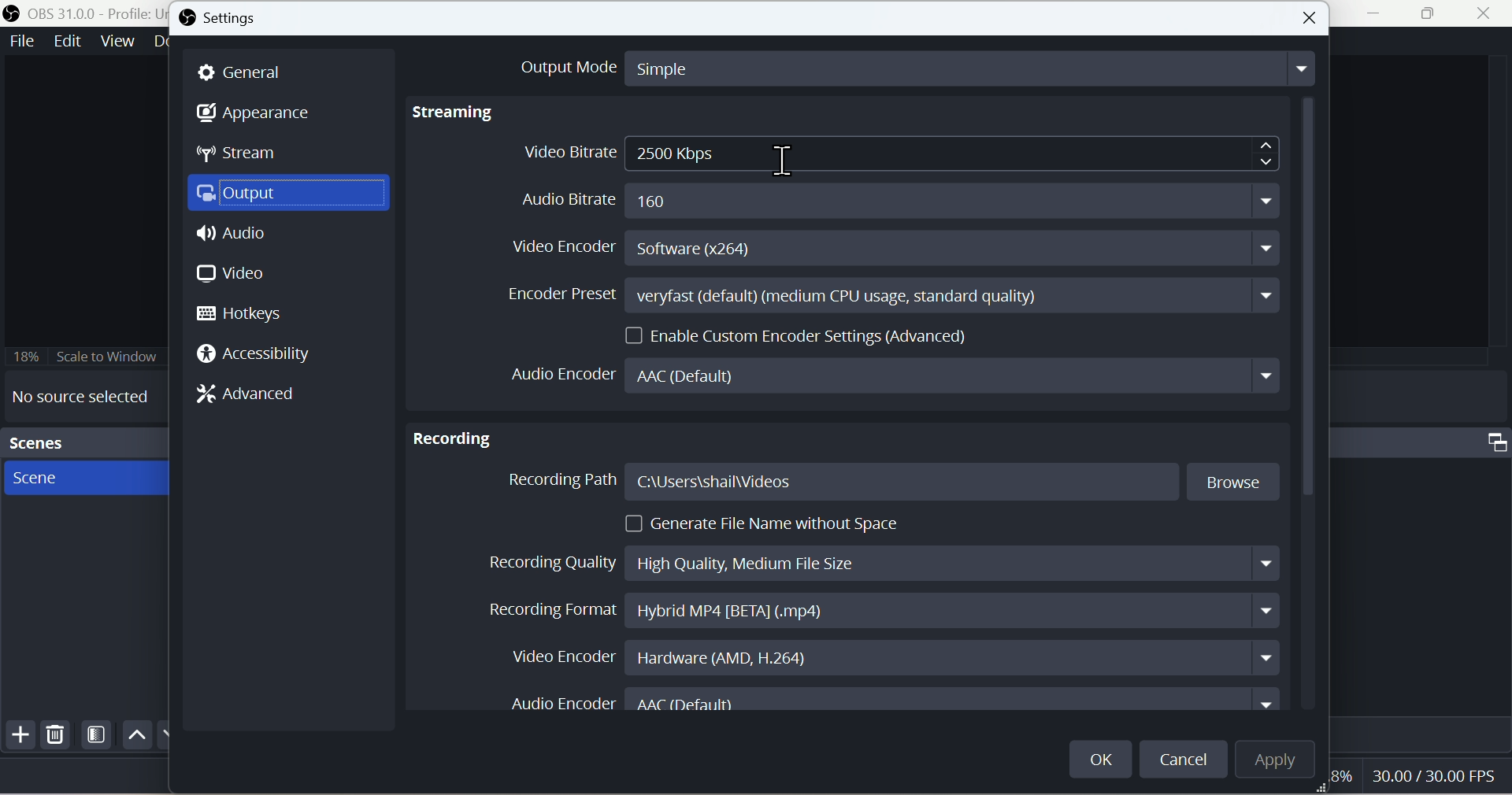 This screenshot has width=1512, height=795. Describe the element at coordinates (135, 734) in the screenshot. I see `up` at that location.